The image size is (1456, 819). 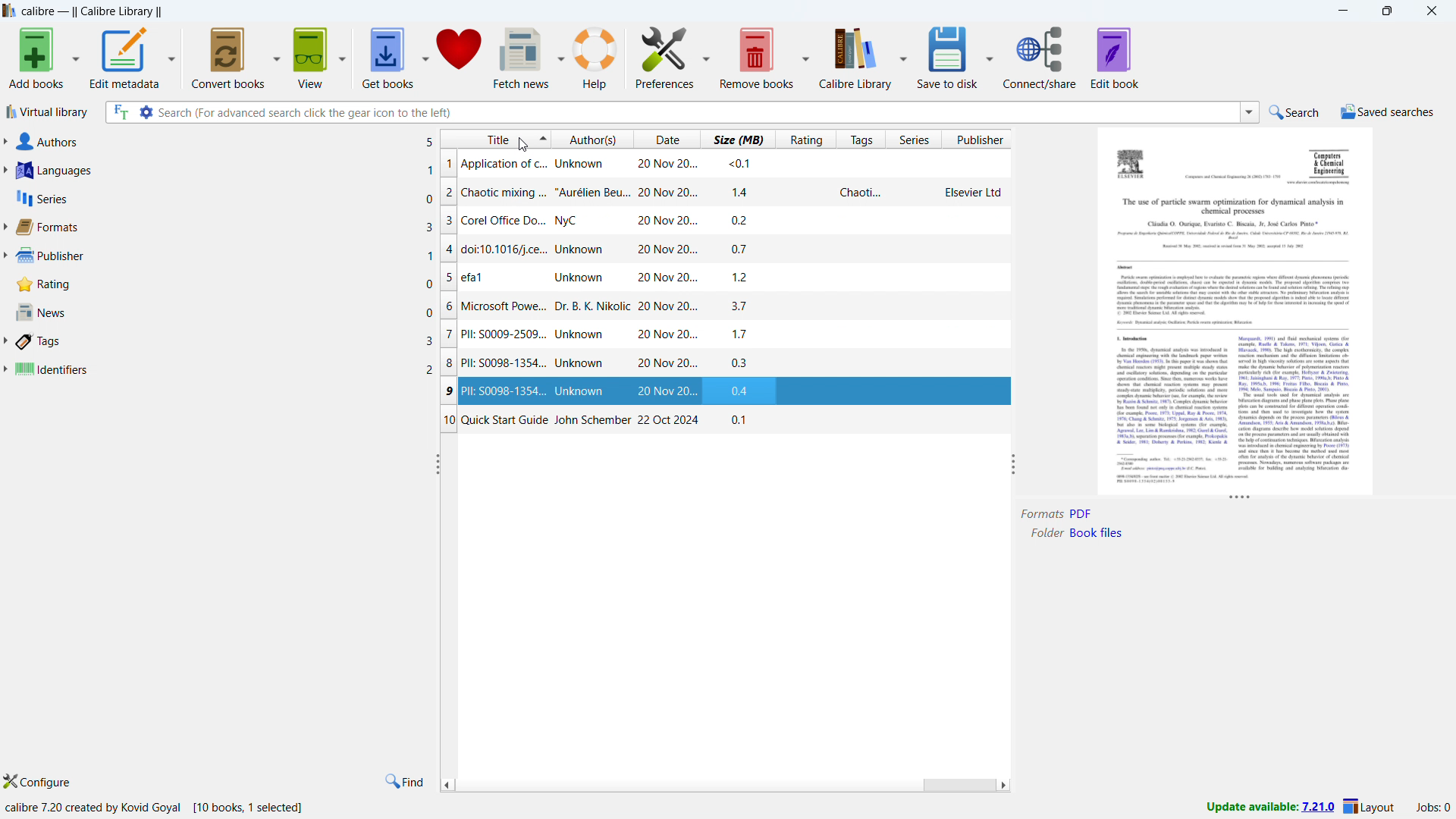 I want to click on doi:10.1016/j.ce... Unknown 20 Nov 20..., so click(x=584, y=249).